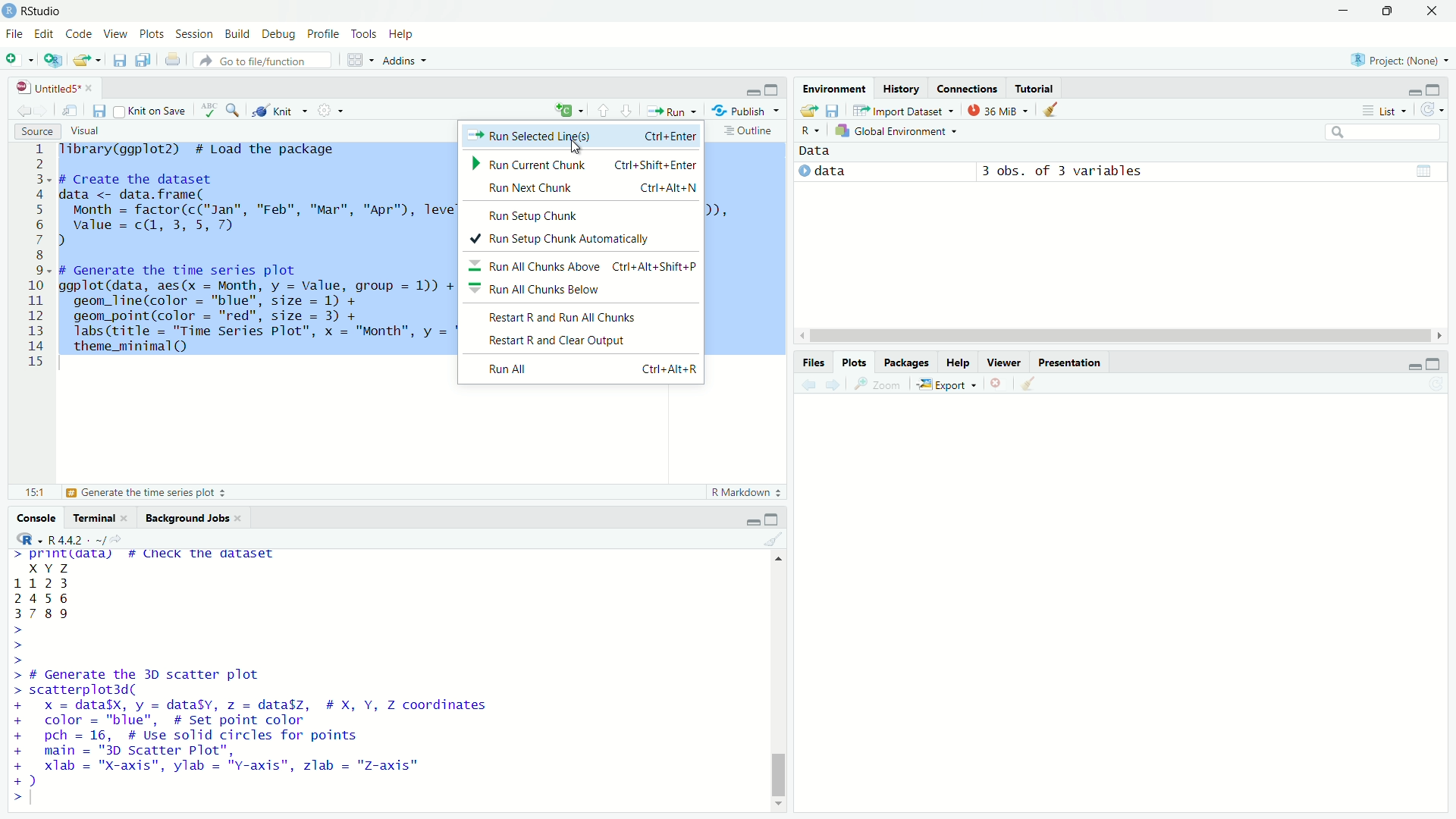 The image size is (1456, 819). I want to click on Run All Chunks Above, so click(584, 268).